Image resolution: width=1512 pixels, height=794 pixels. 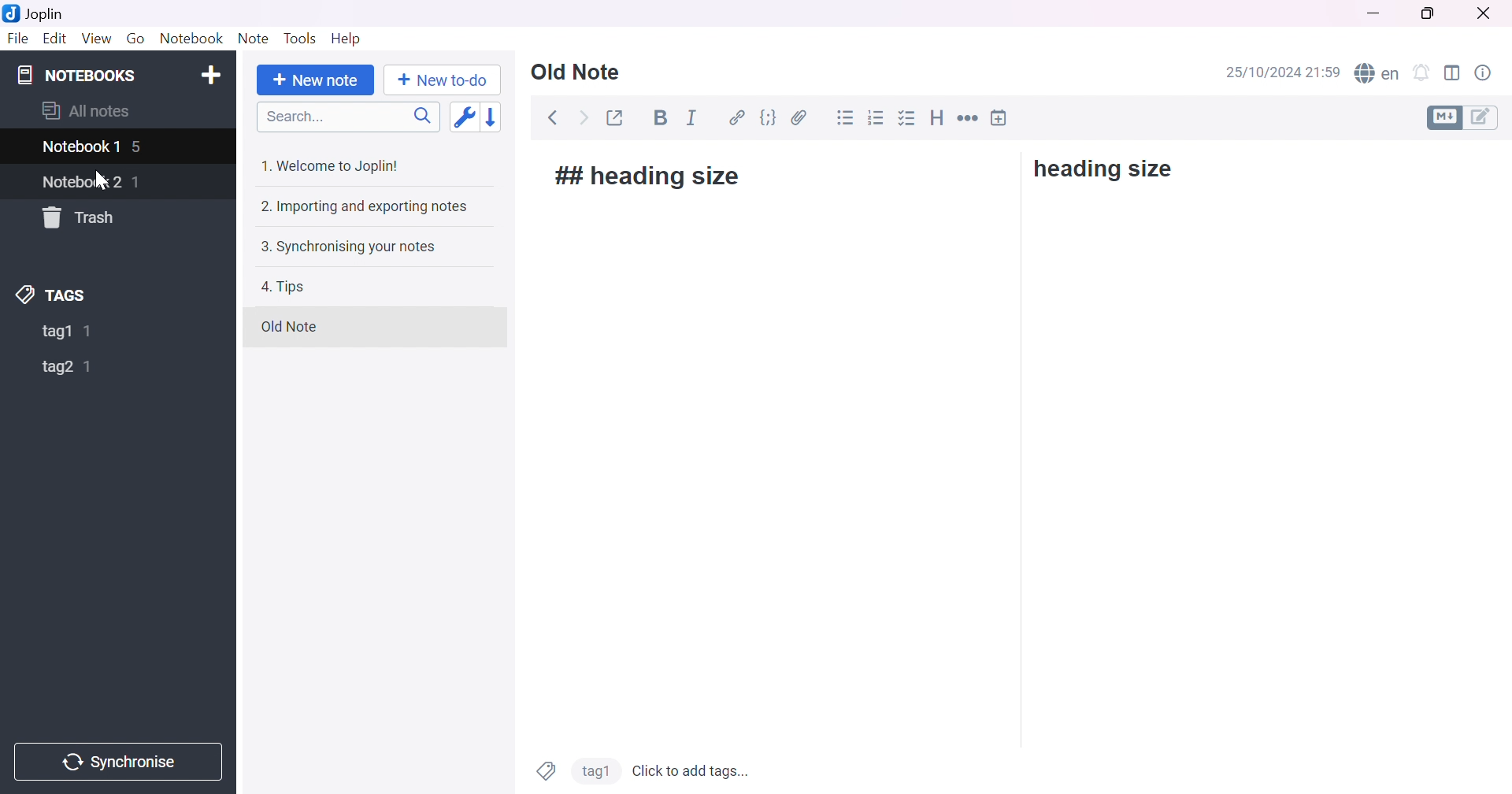 What do you see at coordinates (1103, 170) in the screenshot?
I see `heading size` at bounding box center [1103, 170].